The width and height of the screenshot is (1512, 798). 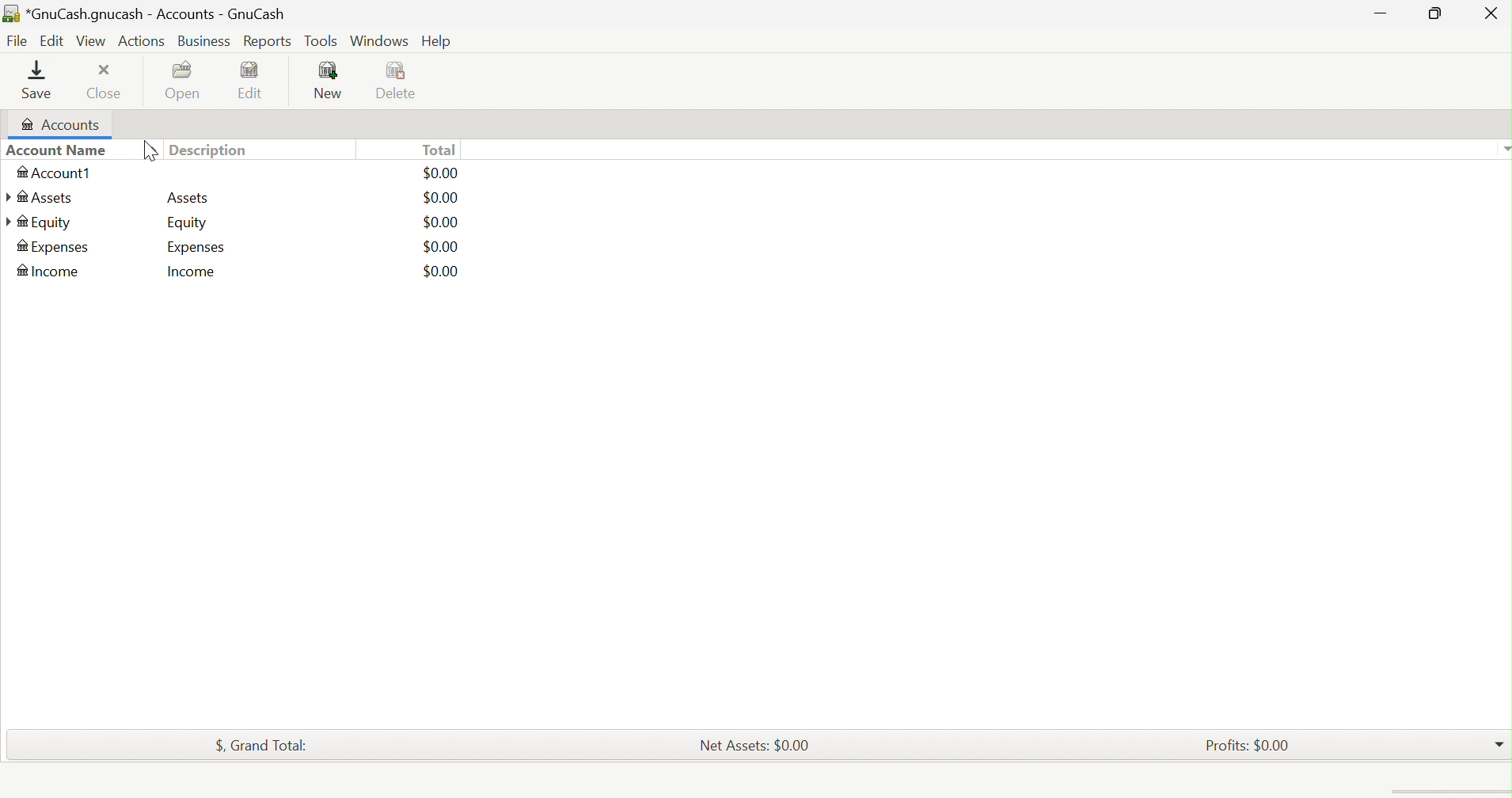 What do you see at coordinates (1499, 741) in the screenshot?
I see `Drop Down` at bounding box center [1499, 741].